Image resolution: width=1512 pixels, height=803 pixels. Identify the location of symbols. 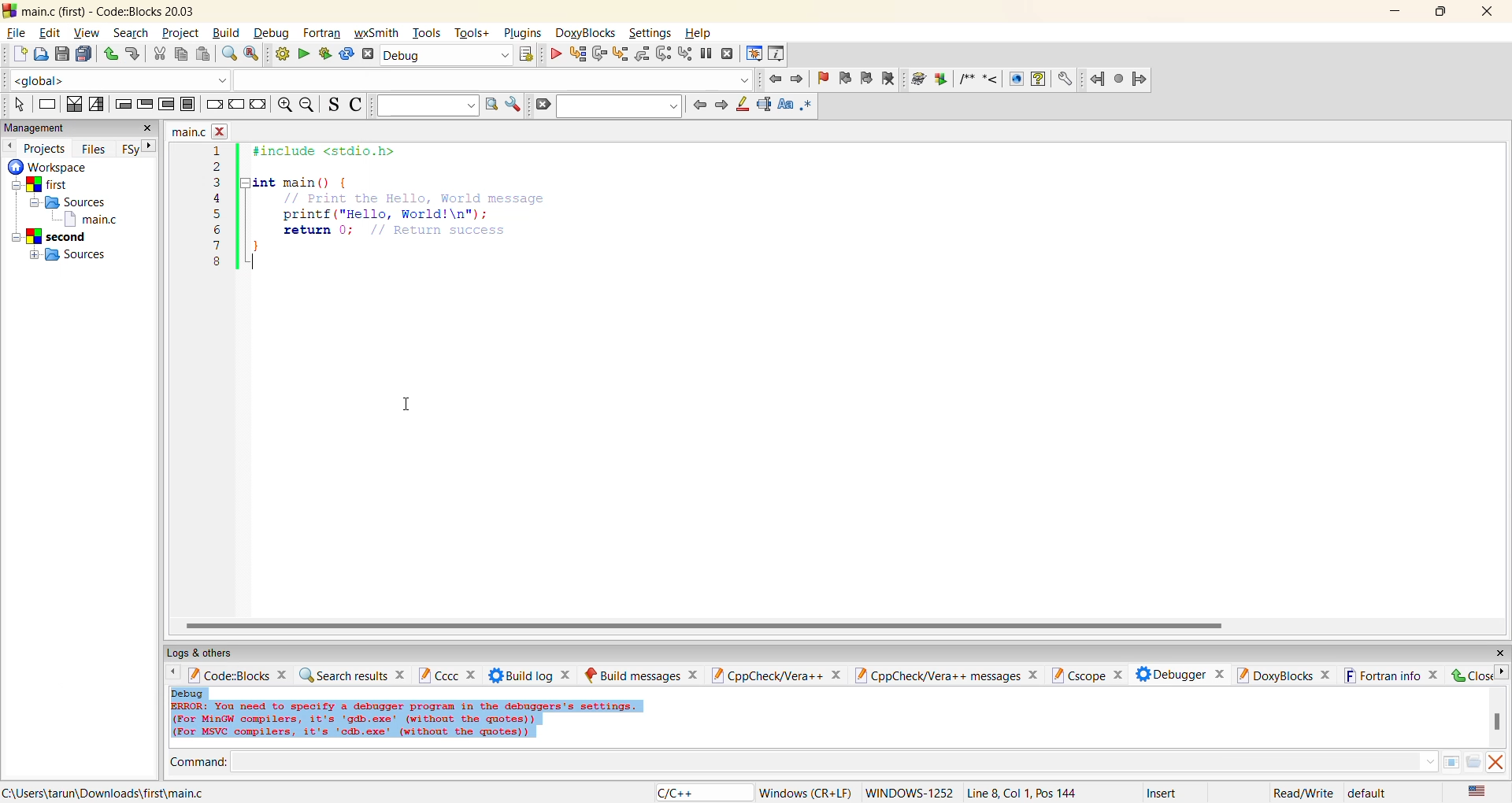
(980, 78).